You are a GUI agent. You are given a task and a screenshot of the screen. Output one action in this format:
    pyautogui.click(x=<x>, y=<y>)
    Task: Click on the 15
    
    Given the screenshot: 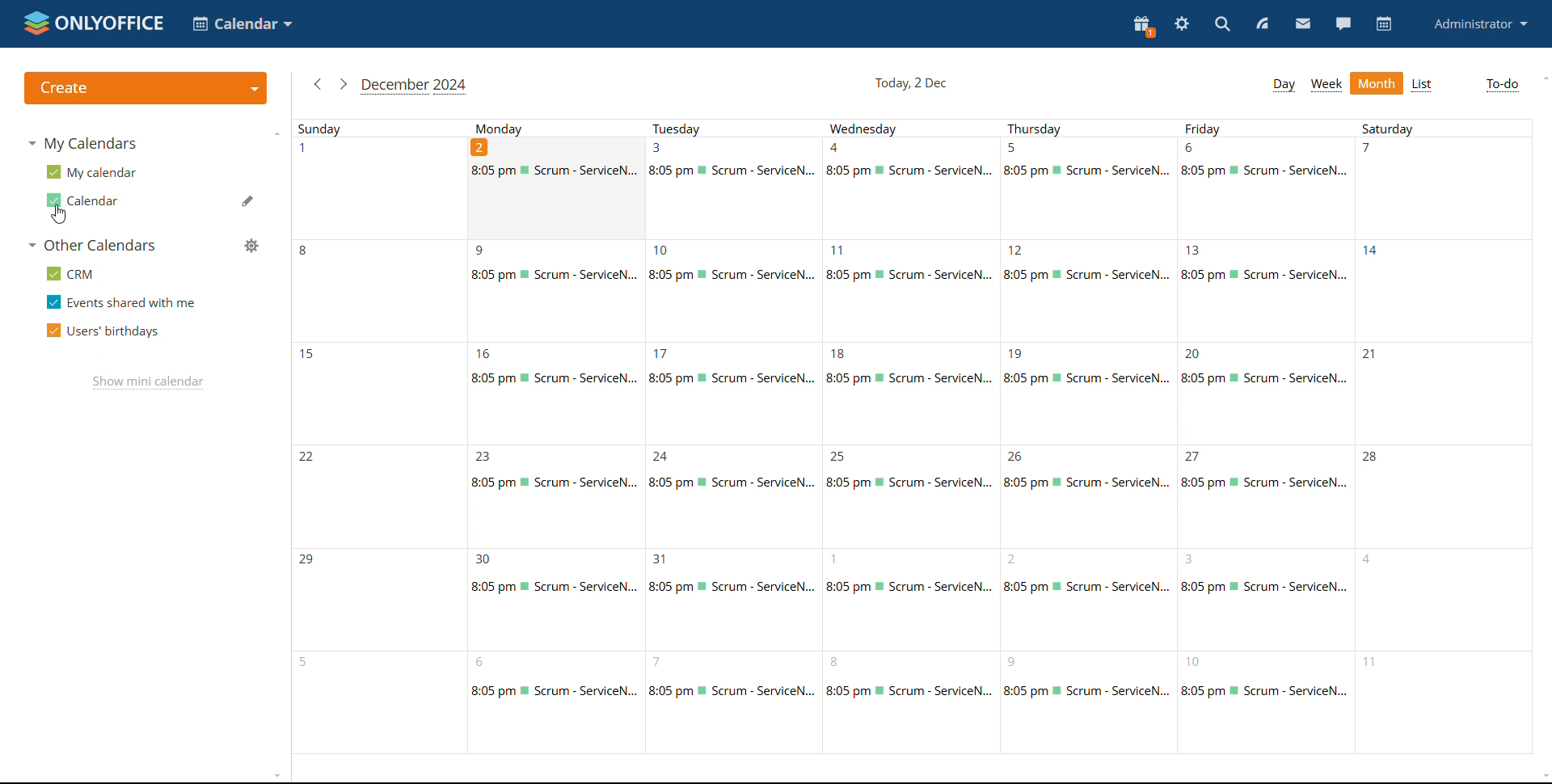 What is the action you would take?
    pyautogui.click(x=377, y=390)
    